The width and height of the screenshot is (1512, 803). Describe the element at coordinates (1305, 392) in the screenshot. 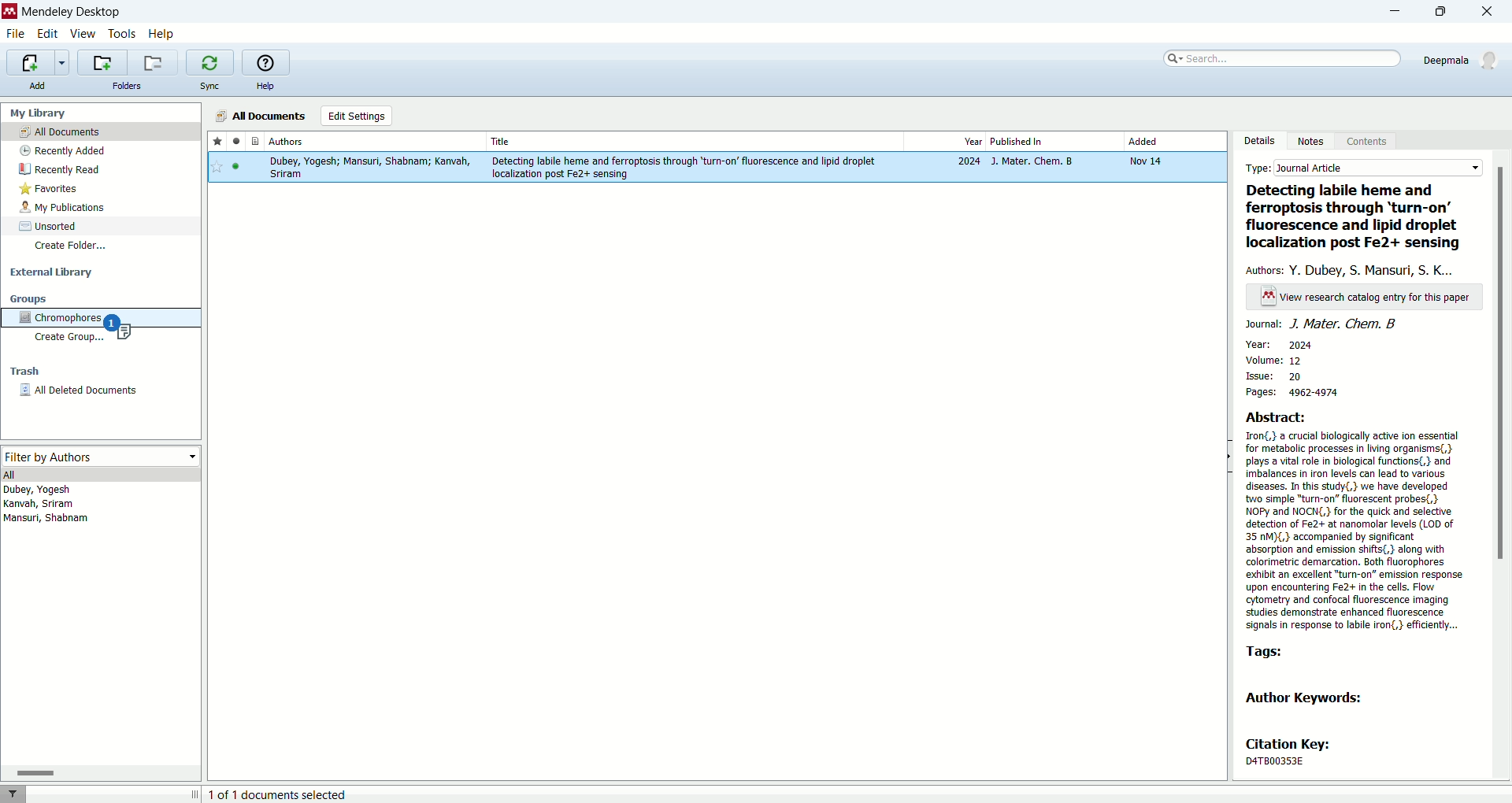

I see `pages: 4962-4974` at that location.